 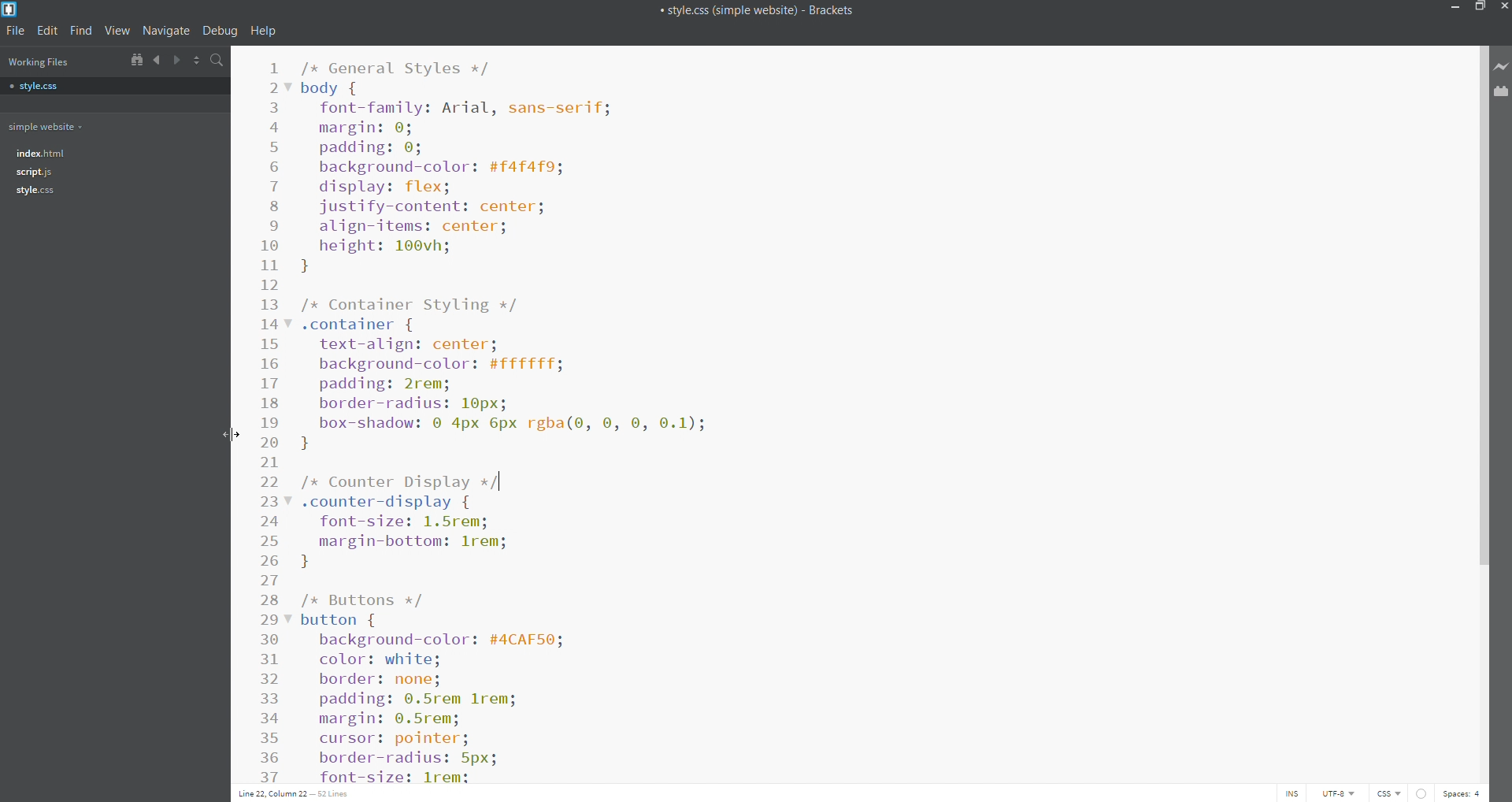 I want to click on text cursor position, so click(x=300, y=793).